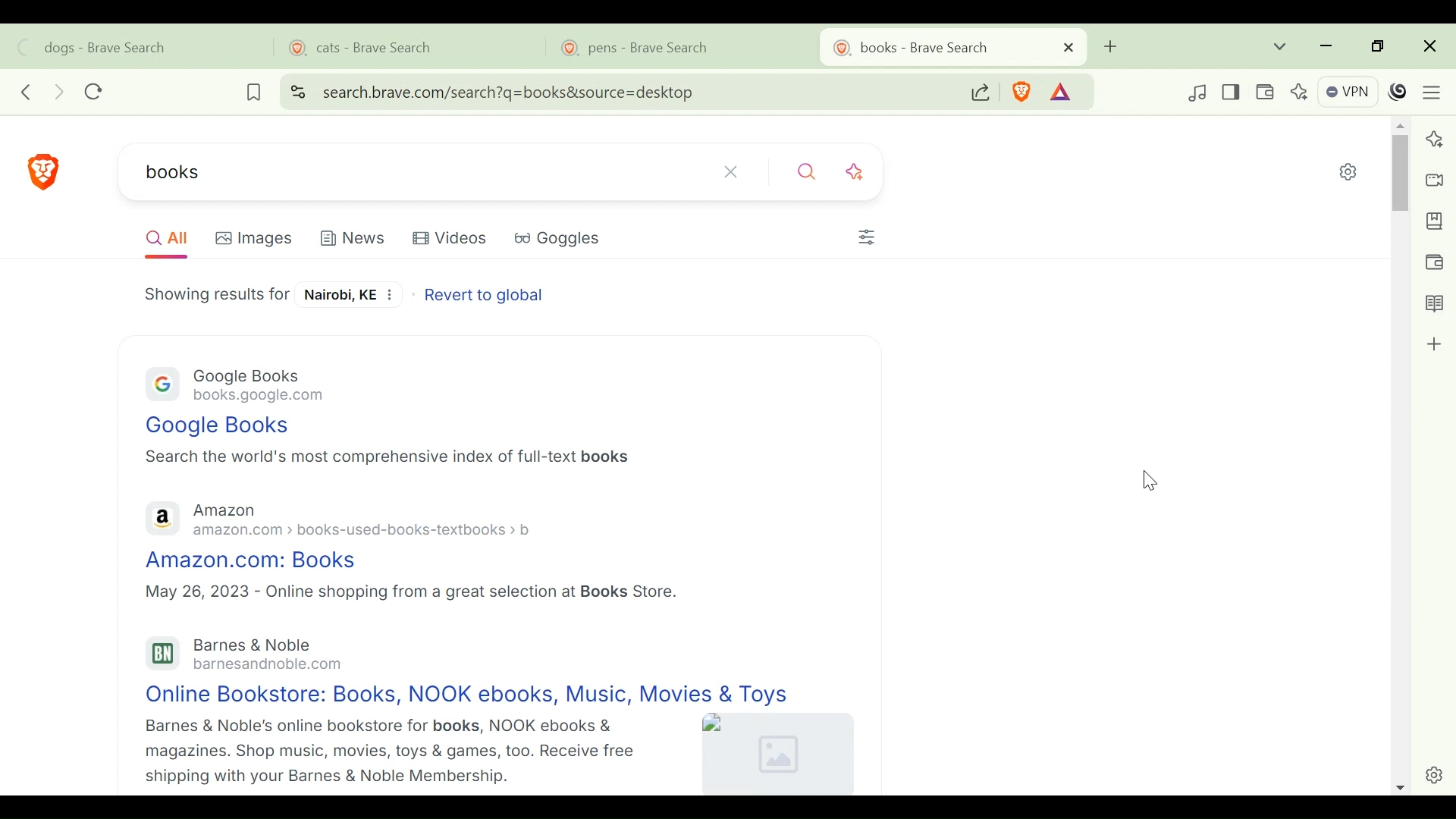  What do you see at coordinates (1435, 303) in the screenshot?
I see `Reading List` at bounding box center [1435, 303].